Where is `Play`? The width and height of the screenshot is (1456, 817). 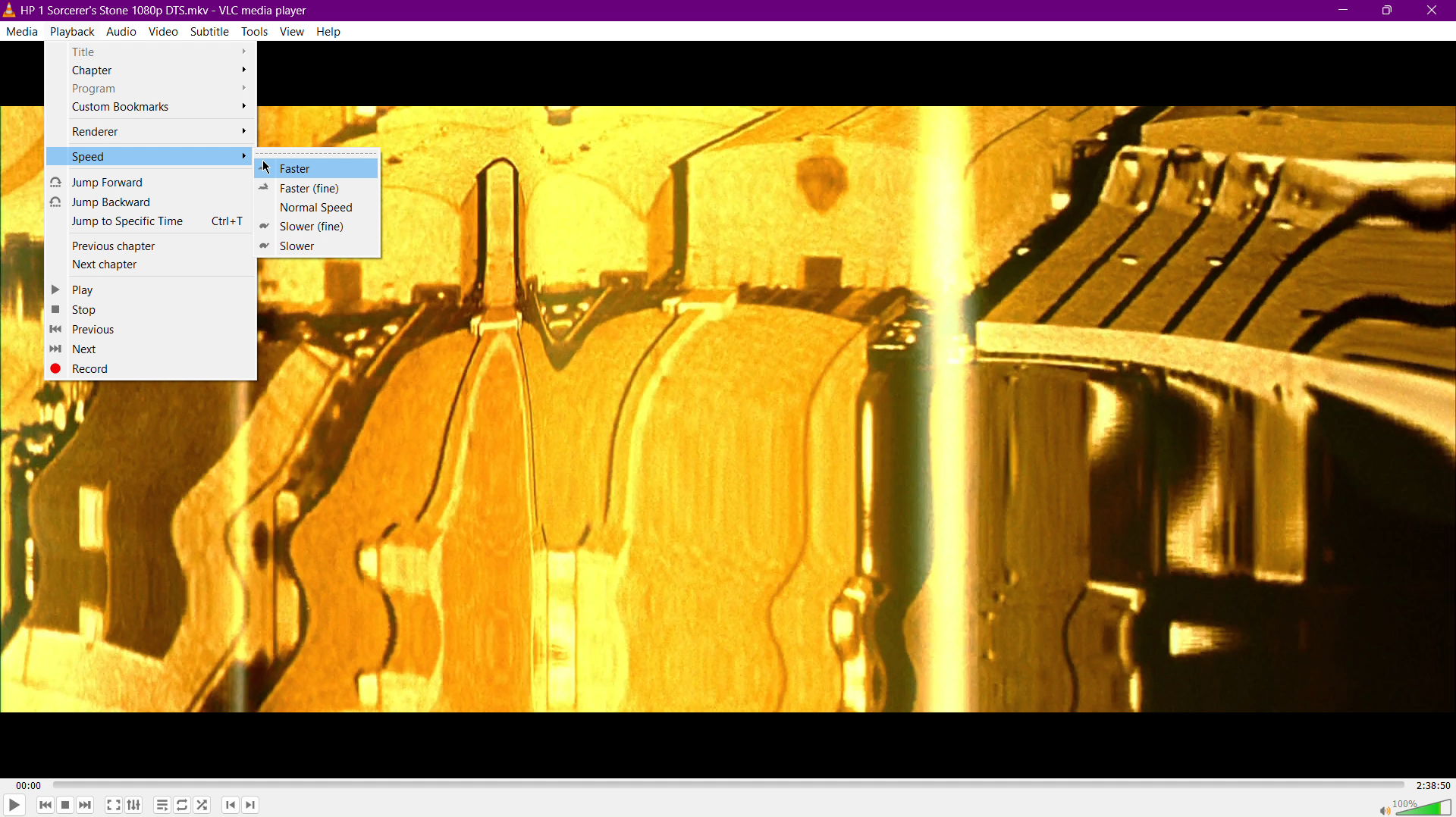 Play is located at coordinates (14, 806).